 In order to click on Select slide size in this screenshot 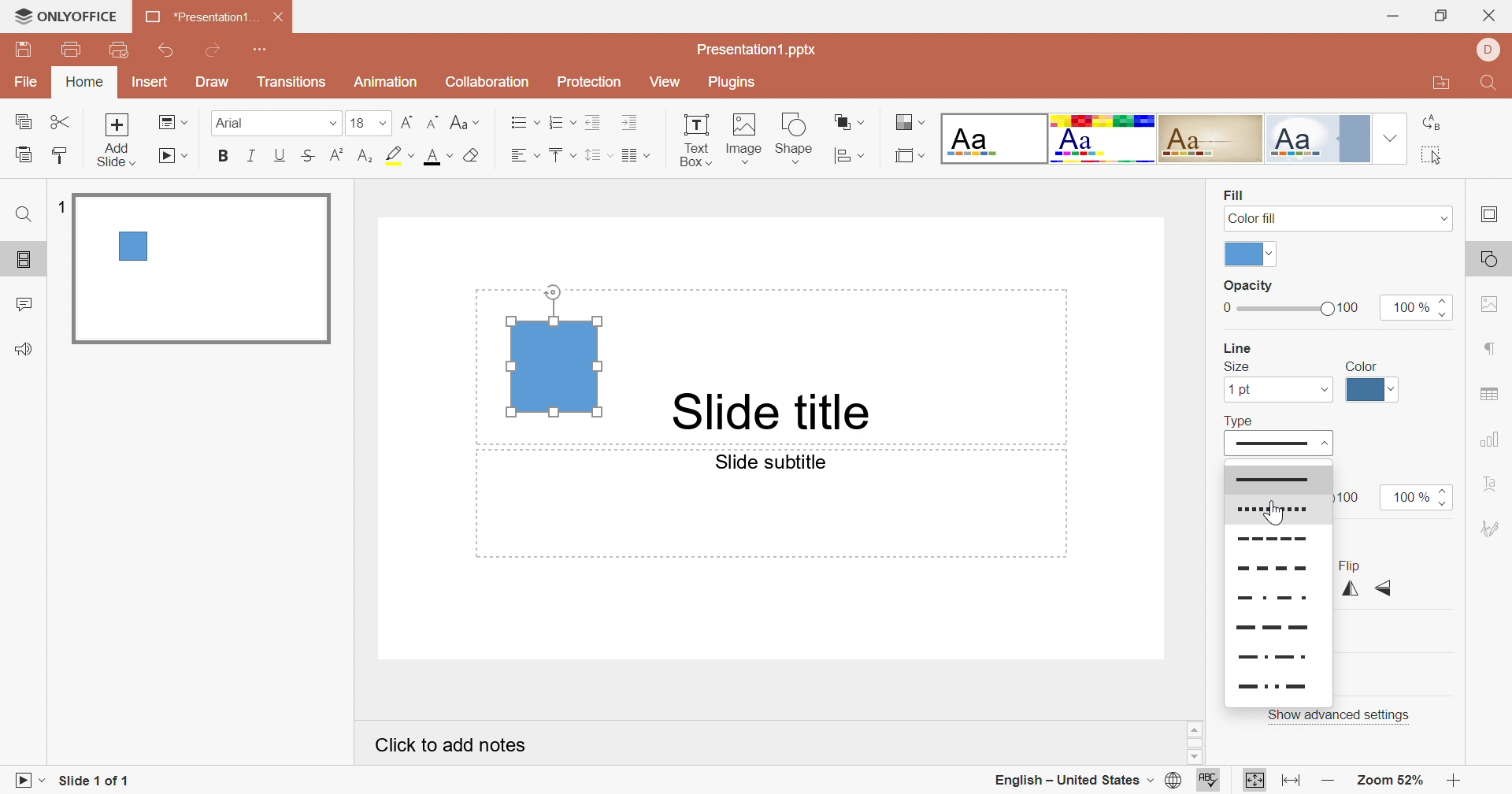, I will do `click(909, 158)`.